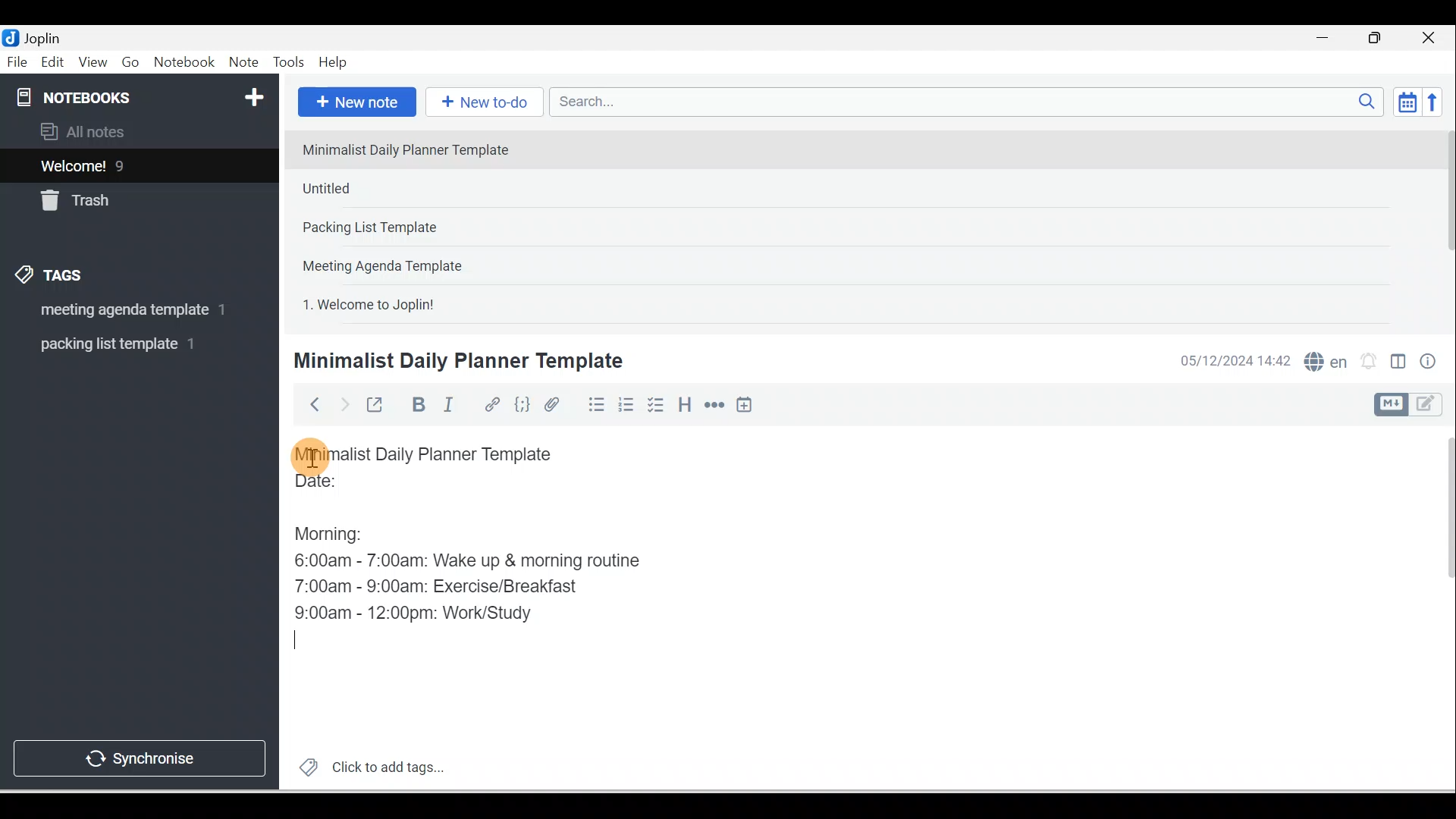 Image resolution: width=1456 pixels, height=819 pixels. Describe the element at coordinates (334, 63) in the screenshot. I see `Help` at that location.